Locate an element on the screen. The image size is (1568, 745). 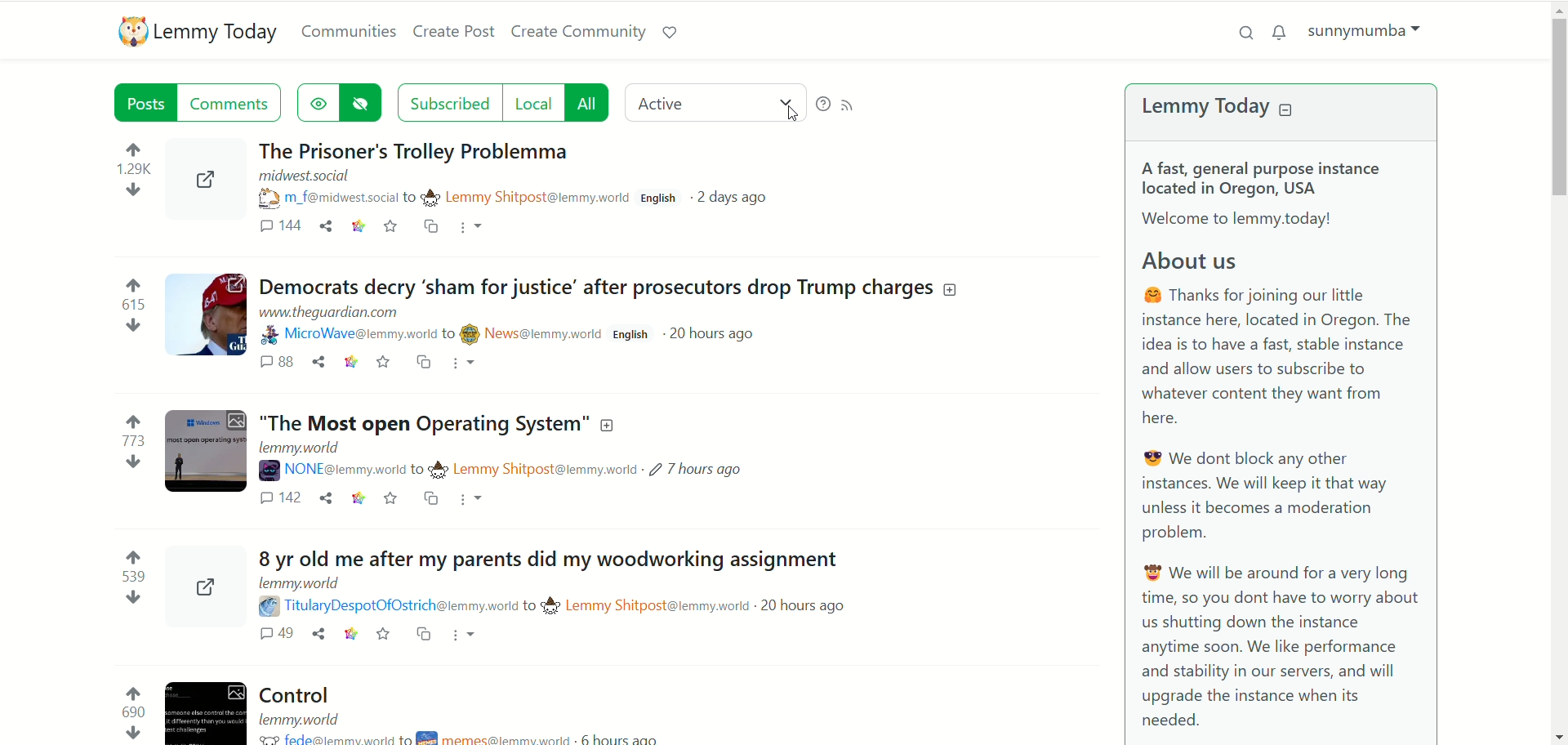
show hidden posts is located at coordinates (318, 101).